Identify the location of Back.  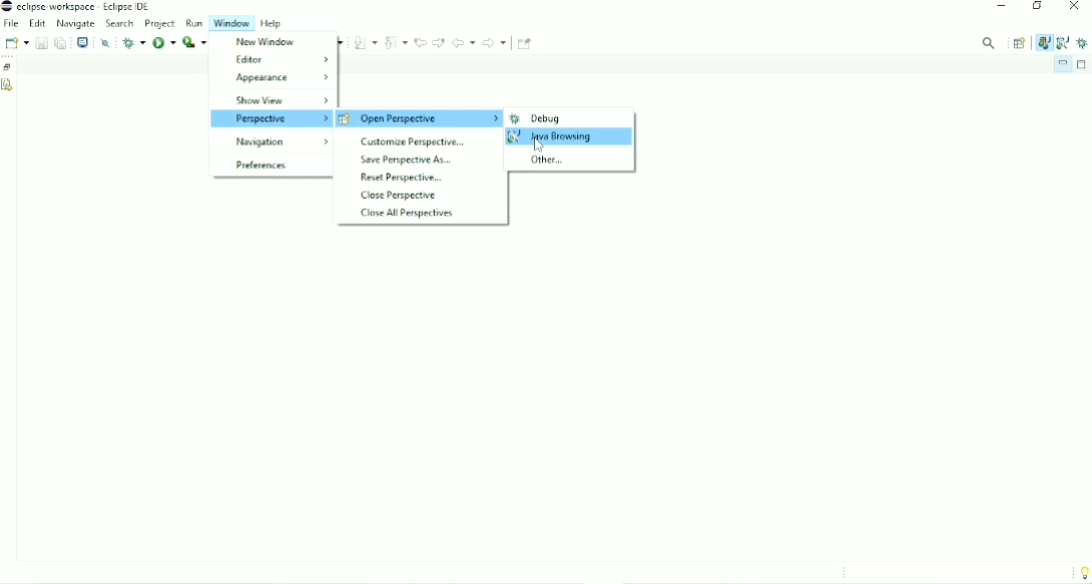
(463, 42).